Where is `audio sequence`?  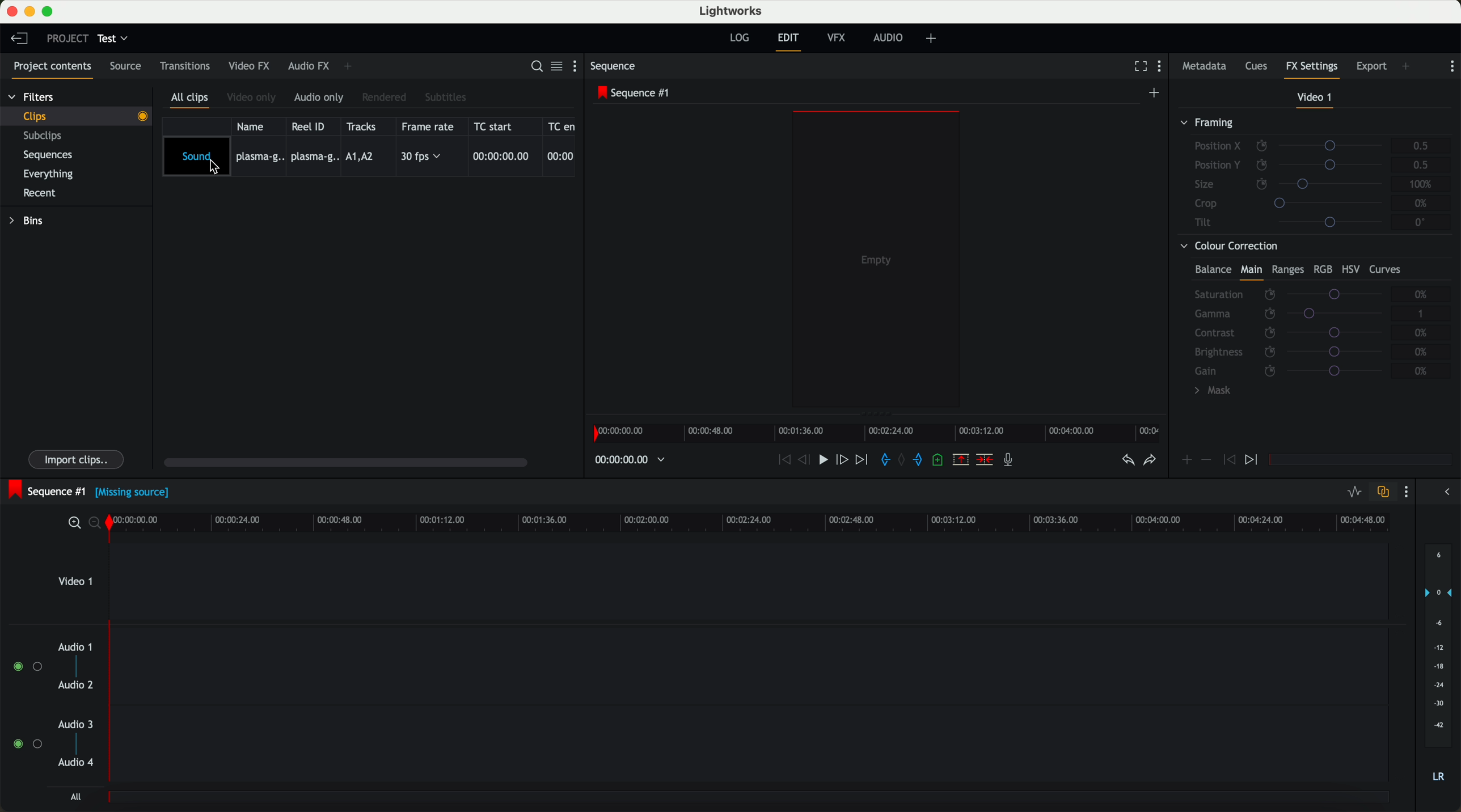 audio sequence is located at coordinates (750, 667).